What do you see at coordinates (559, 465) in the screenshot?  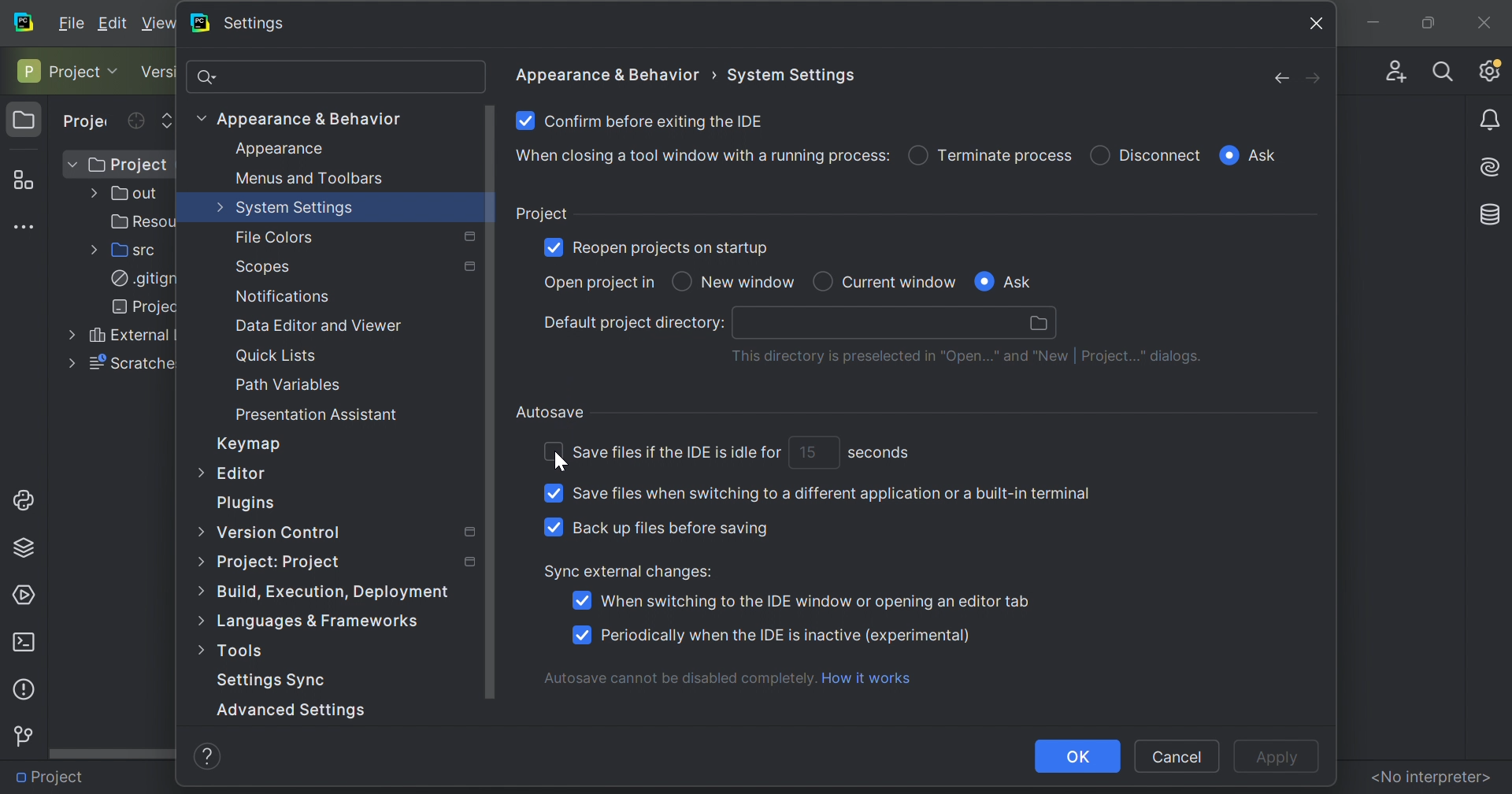 I see `cursor` at bounding box center [559, 465].